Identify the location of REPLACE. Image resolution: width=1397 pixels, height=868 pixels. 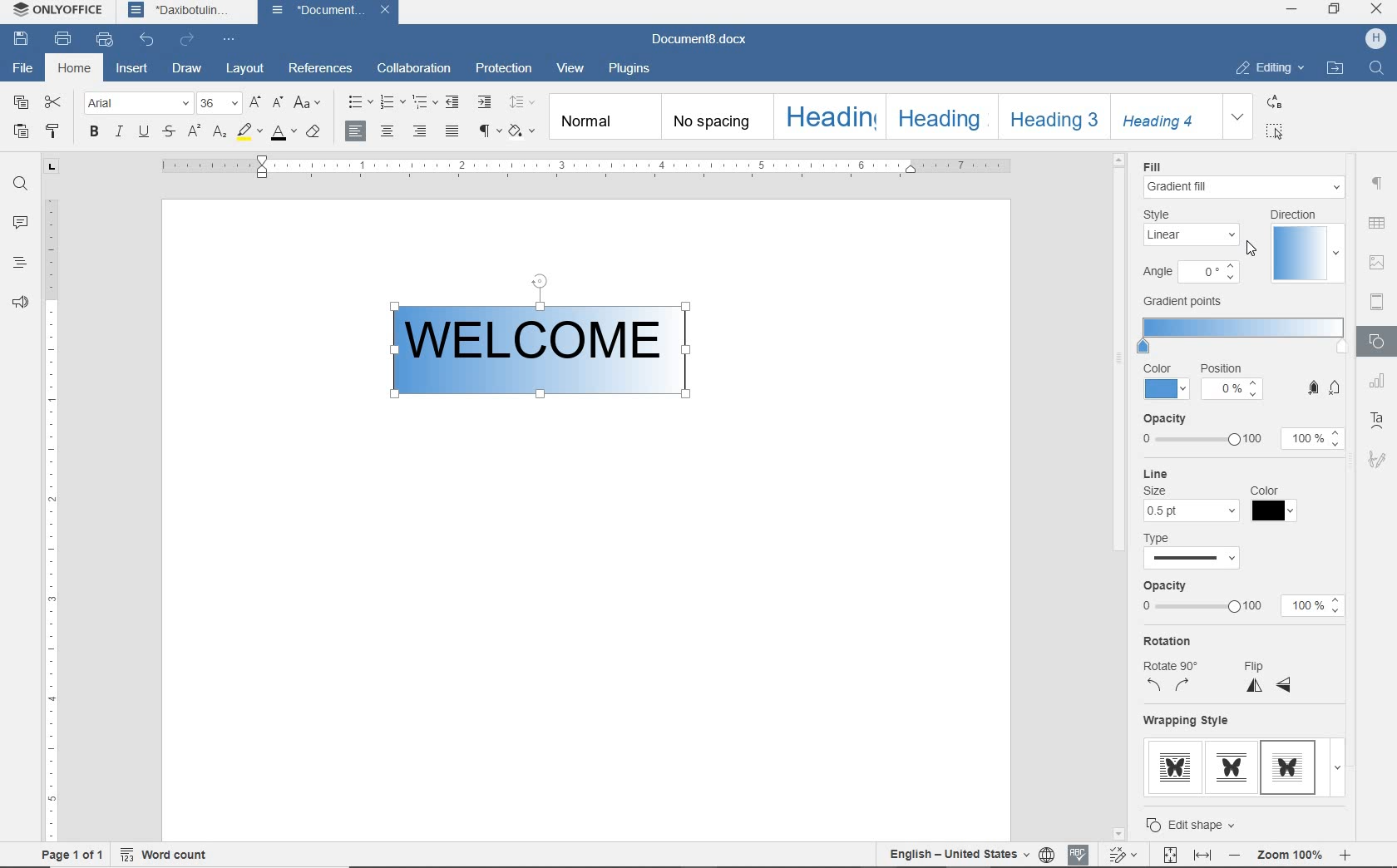
(1274, 101).